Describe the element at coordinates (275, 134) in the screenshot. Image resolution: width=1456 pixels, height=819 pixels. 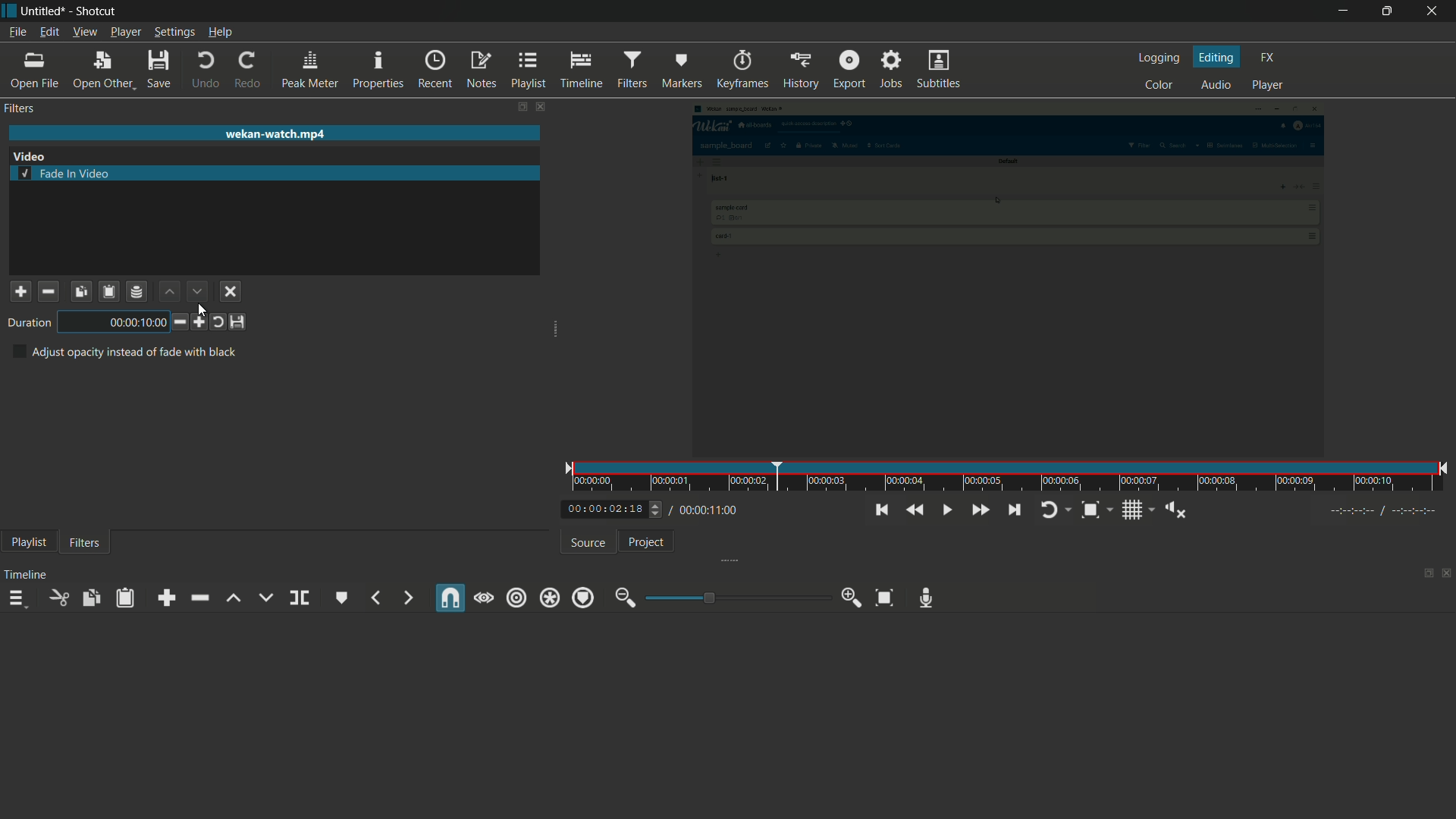
I see `imported file name` at that location.